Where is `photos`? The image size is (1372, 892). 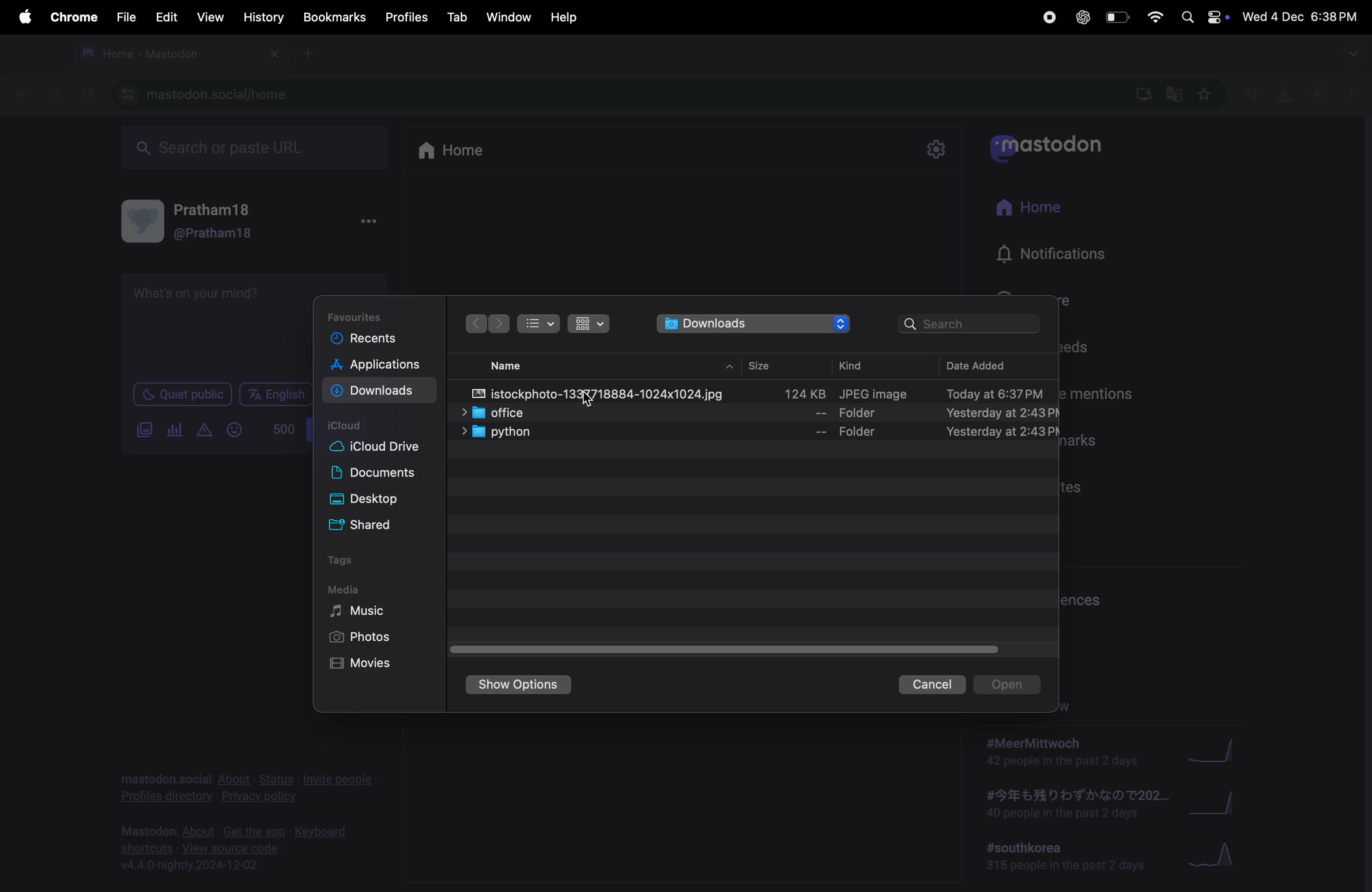 photos is located at coordinates (362, 639).